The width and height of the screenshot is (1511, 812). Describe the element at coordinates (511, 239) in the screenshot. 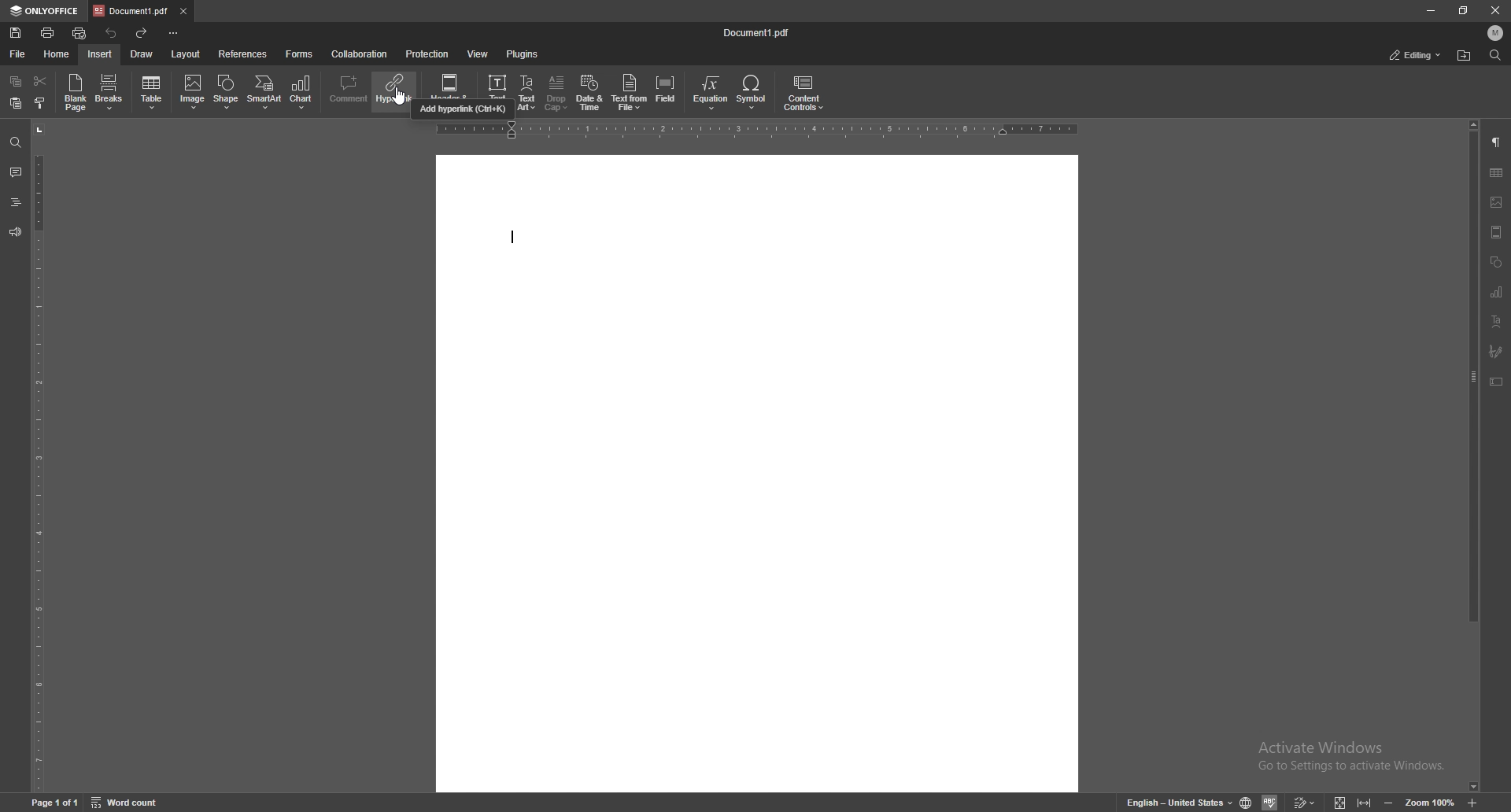

I see `text cursor` at that location.